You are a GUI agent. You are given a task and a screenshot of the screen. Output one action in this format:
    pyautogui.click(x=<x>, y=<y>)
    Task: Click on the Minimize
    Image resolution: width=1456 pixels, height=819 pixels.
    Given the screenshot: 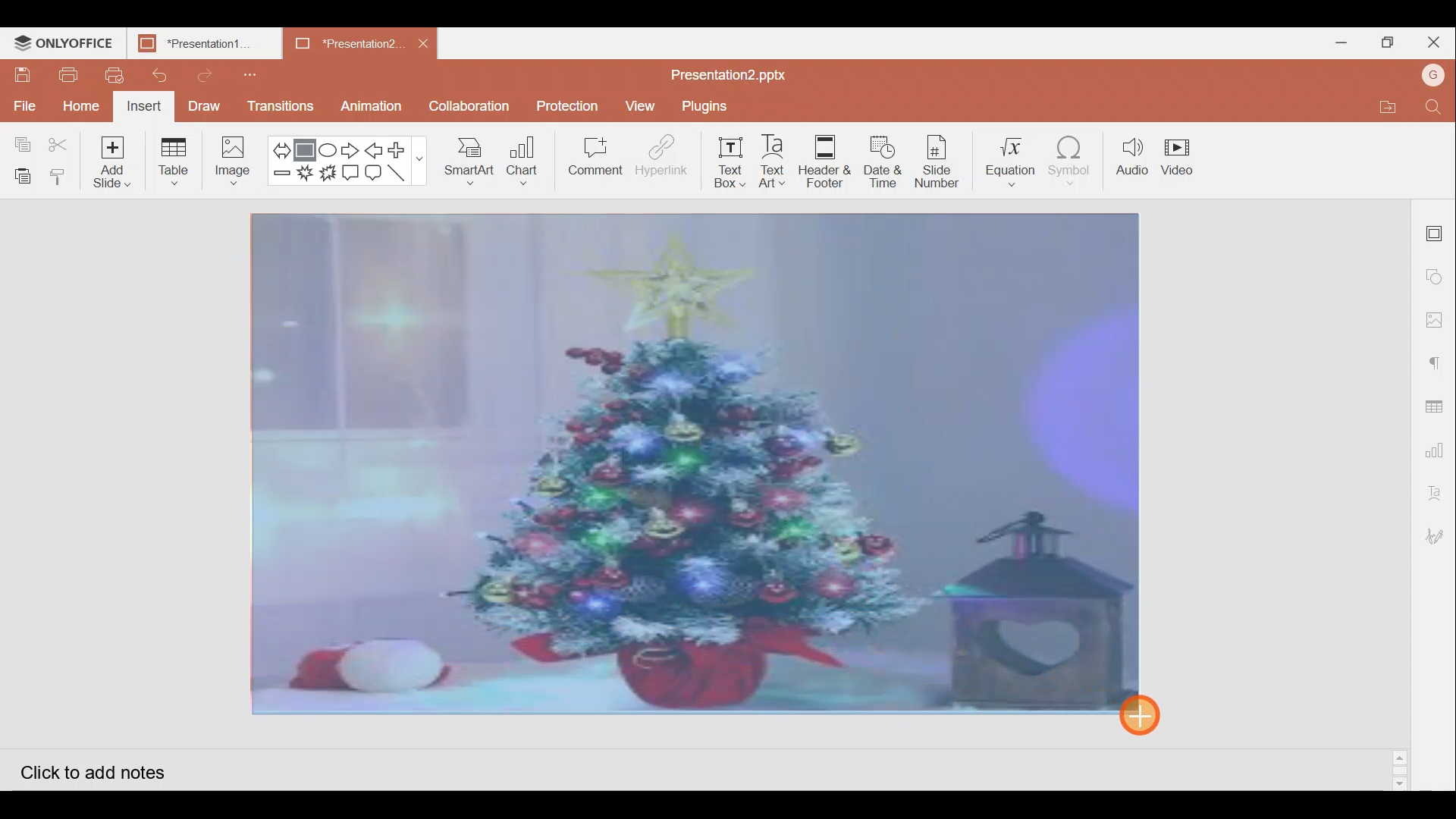 What is the action you would take?
    pyautogui.click(x=1341, y=42)
    